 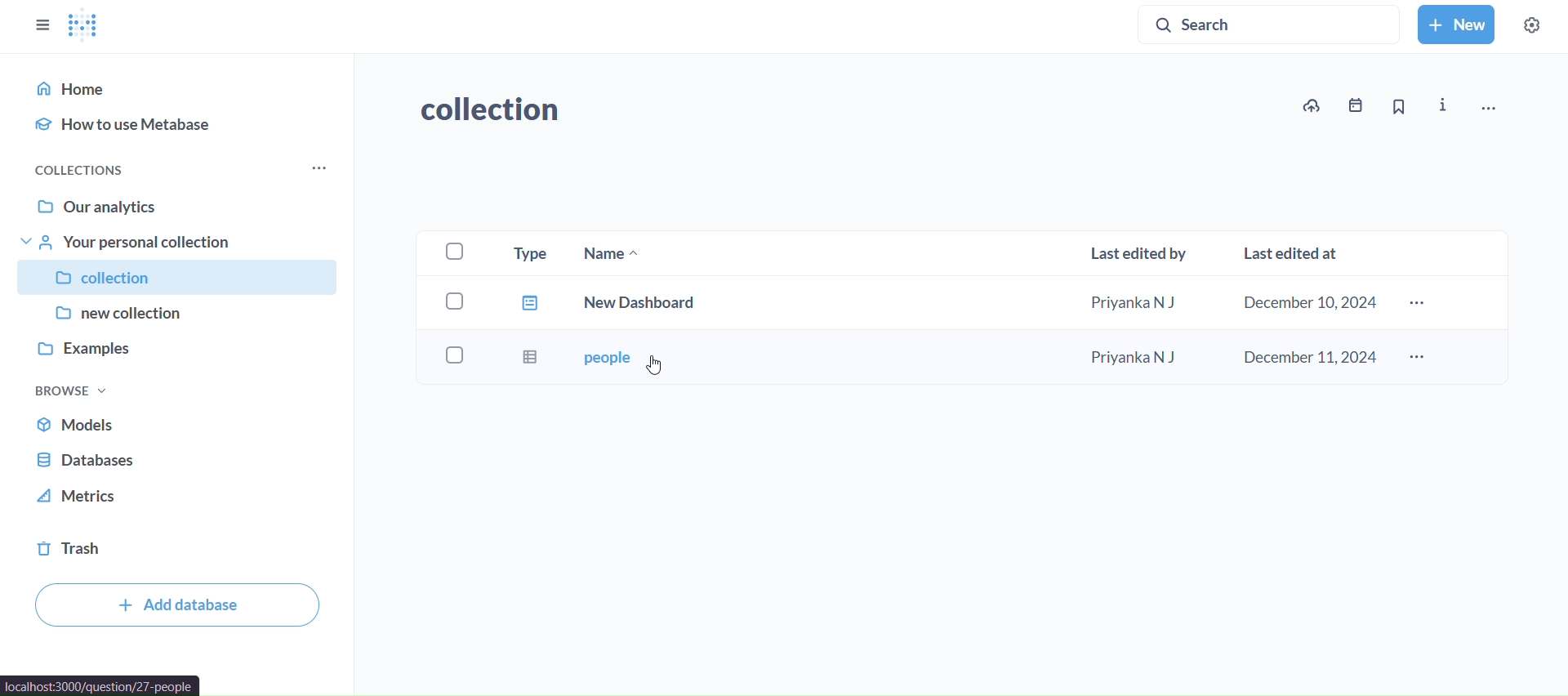 What do you see at coordinates (1418, 303) in the screenshot?
I see `more` at bounding box center [1418, 303].